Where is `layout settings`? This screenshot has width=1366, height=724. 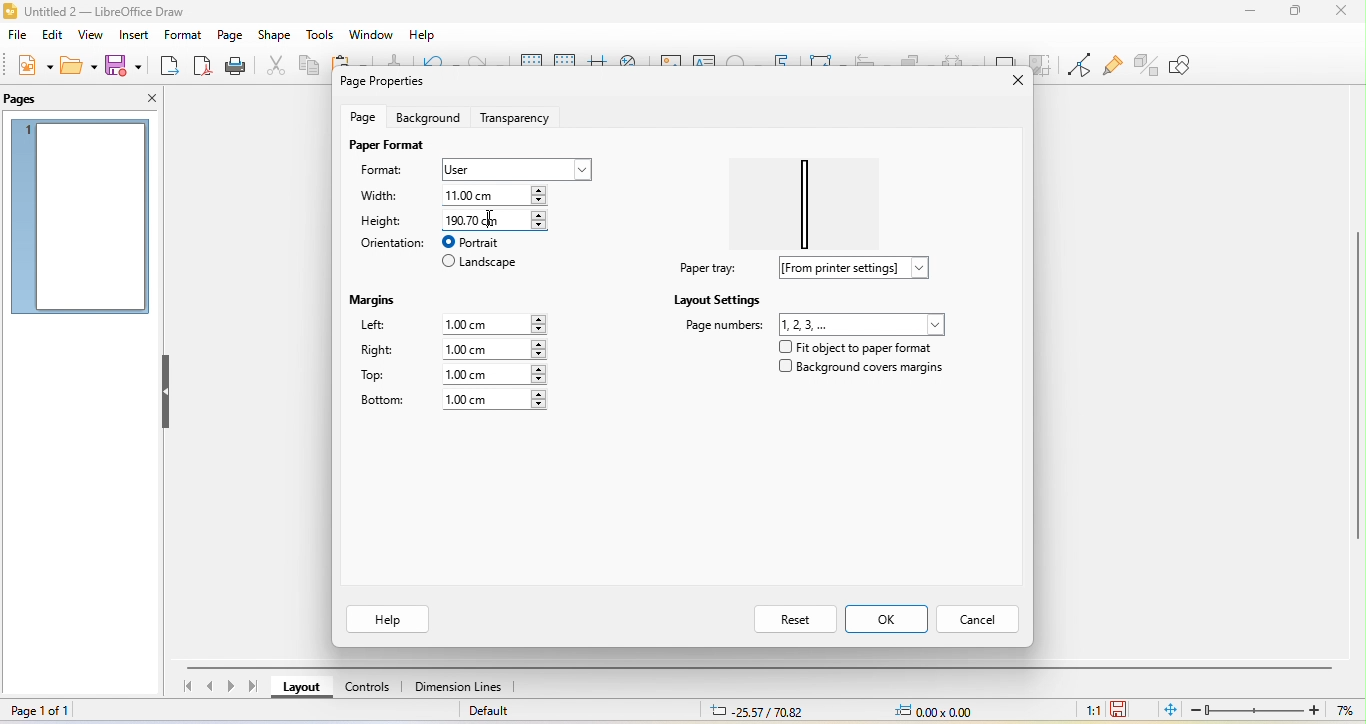 layout settings is located at coordinates (718, 299).